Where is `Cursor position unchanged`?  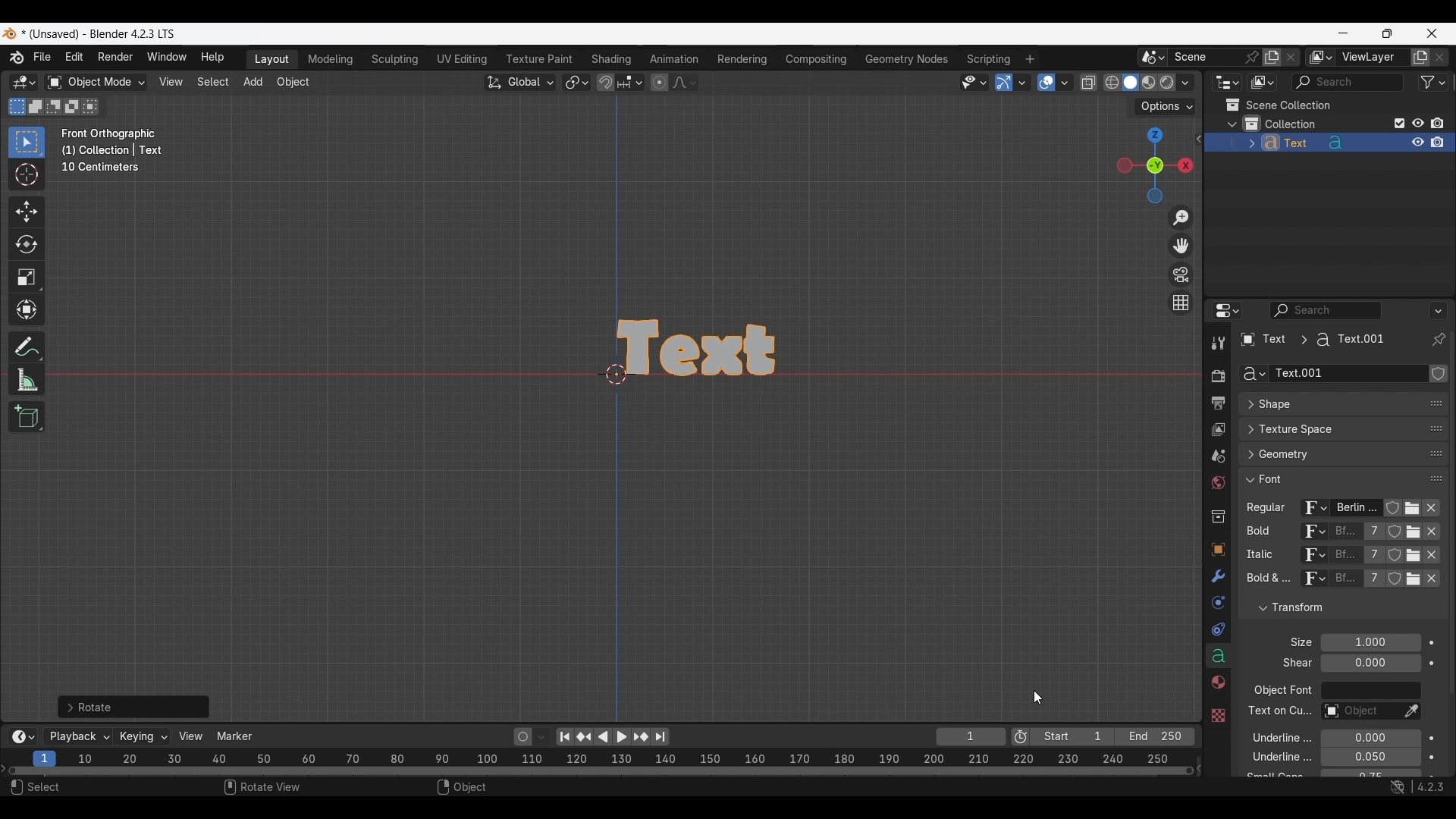
Cursor position unchanged is located at coordinates (1038, 697).